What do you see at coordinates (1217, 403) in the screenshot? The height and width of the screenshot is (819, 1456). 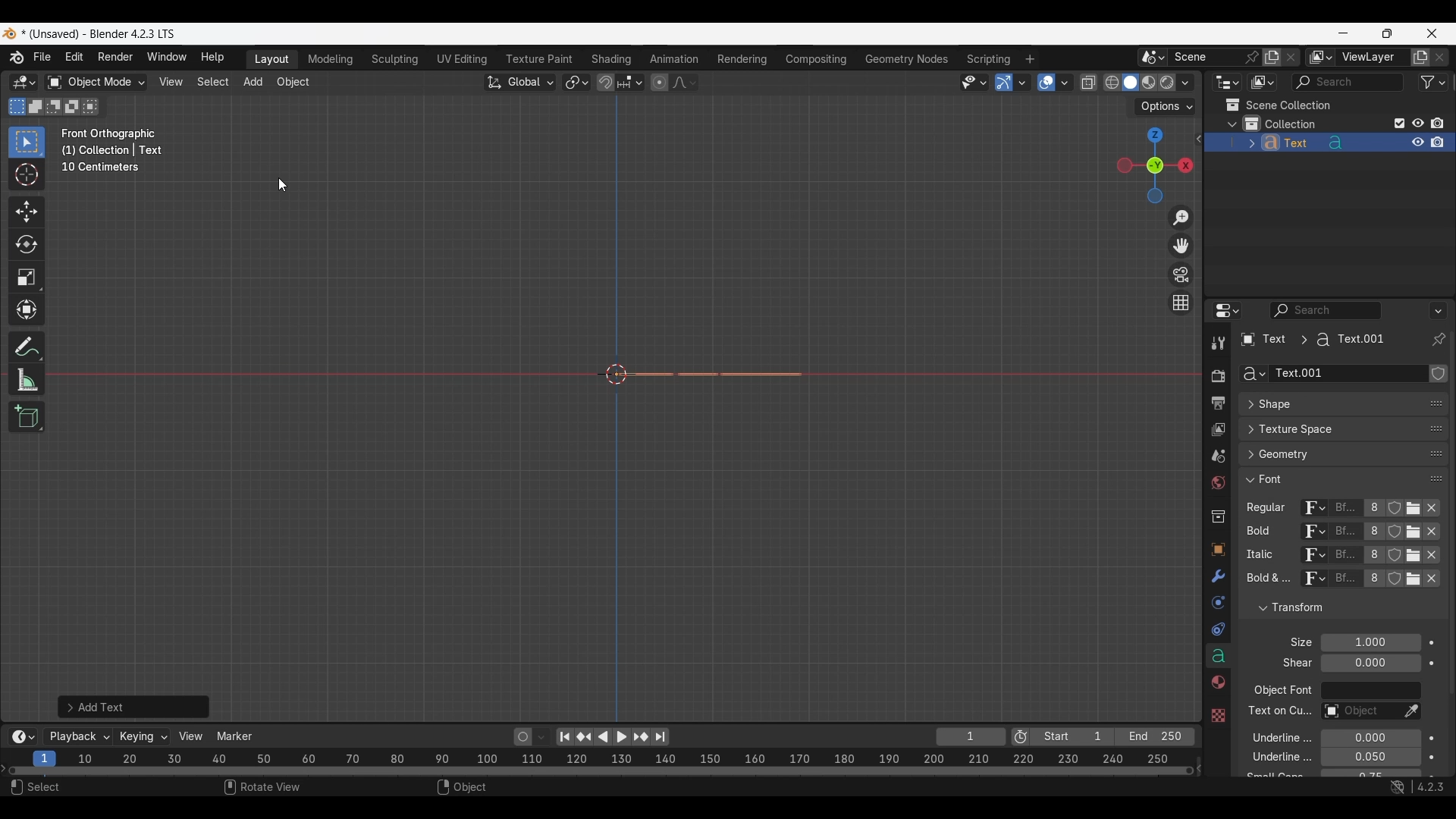 I see `Output` at bounding box center [1217, 403].